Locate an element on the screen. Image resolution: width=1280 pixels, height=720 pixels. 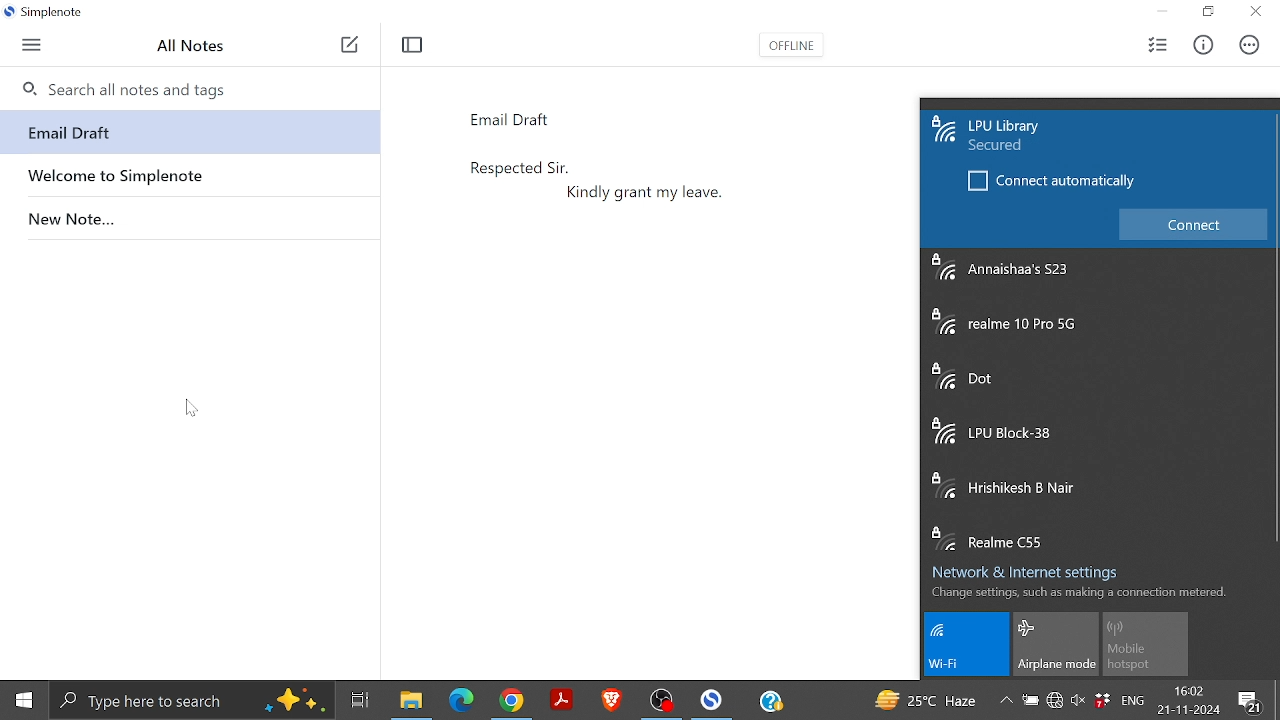
Note tilted "New Note" is located at coordinates (188, 215).